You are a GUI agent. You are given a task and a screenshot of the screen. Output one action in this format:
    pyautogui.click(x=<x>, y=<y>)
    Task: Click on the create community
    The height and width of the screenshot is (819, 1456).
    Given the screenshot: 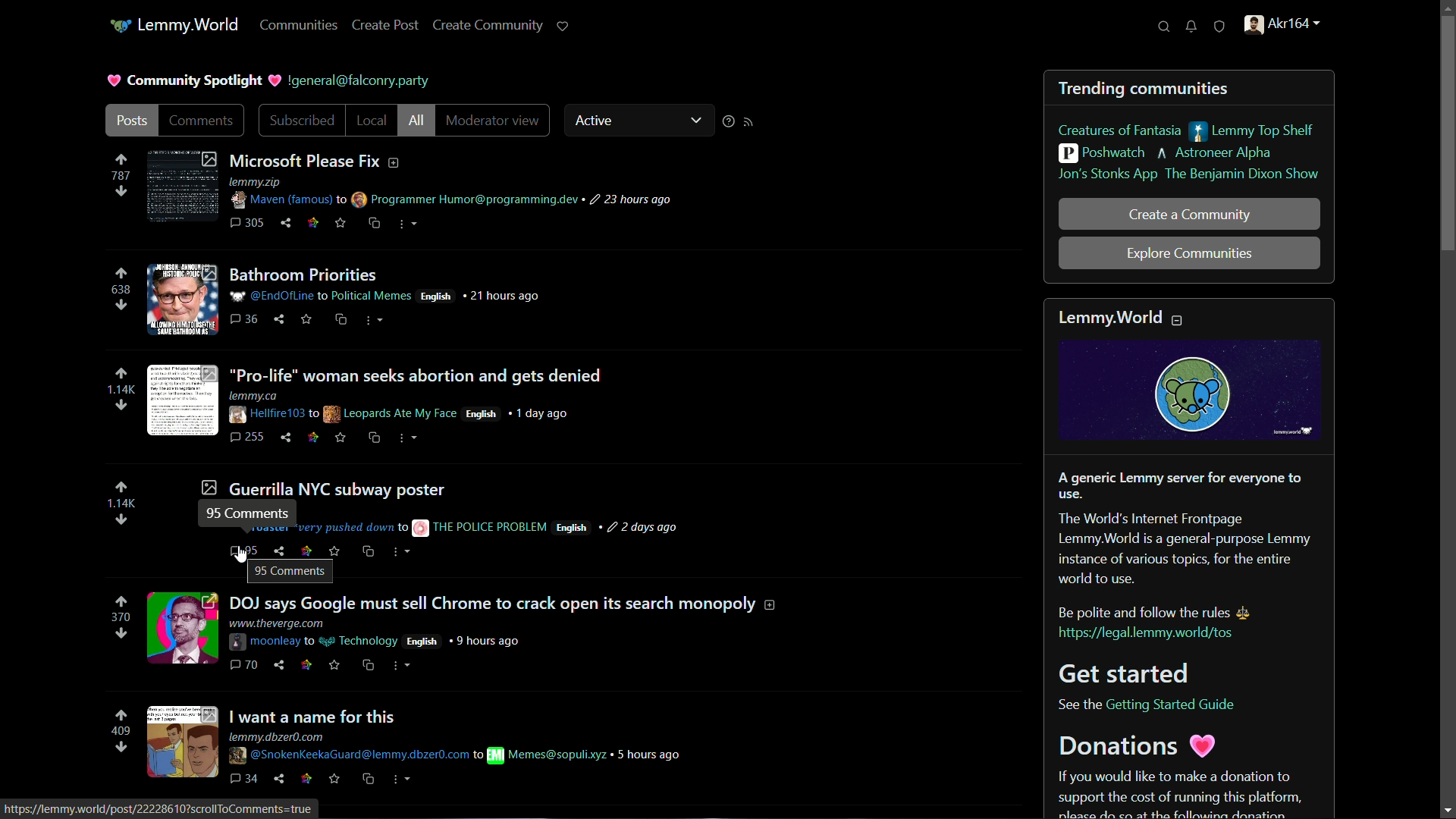 What is the action you would take?
    pyautogui.click(x=488, y=25)
    